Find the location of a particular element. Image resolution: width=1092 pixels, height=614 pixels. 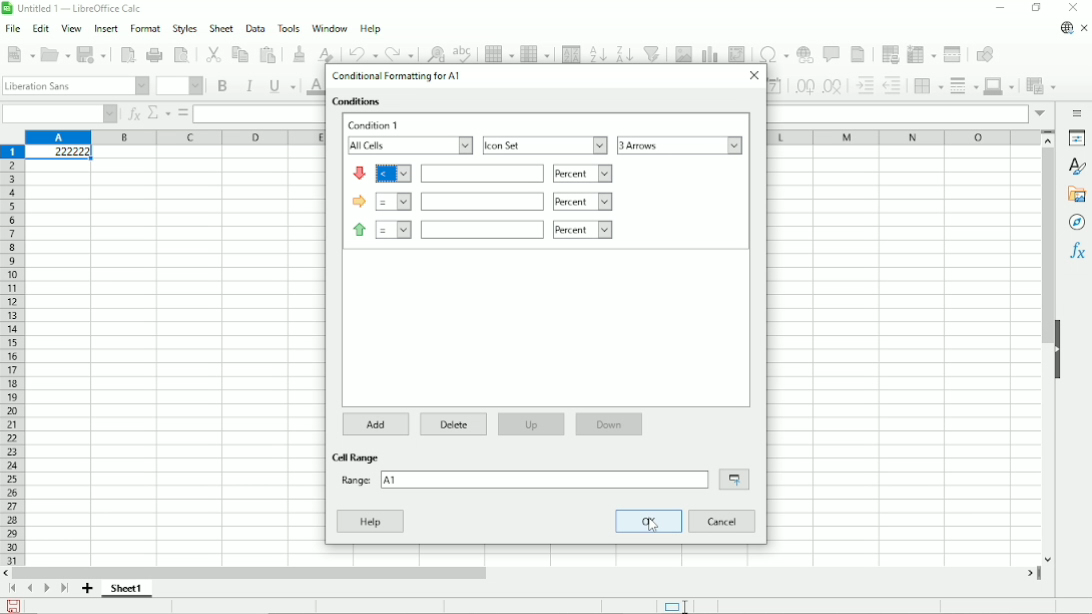

Cut is located at coordinates (212, 53).